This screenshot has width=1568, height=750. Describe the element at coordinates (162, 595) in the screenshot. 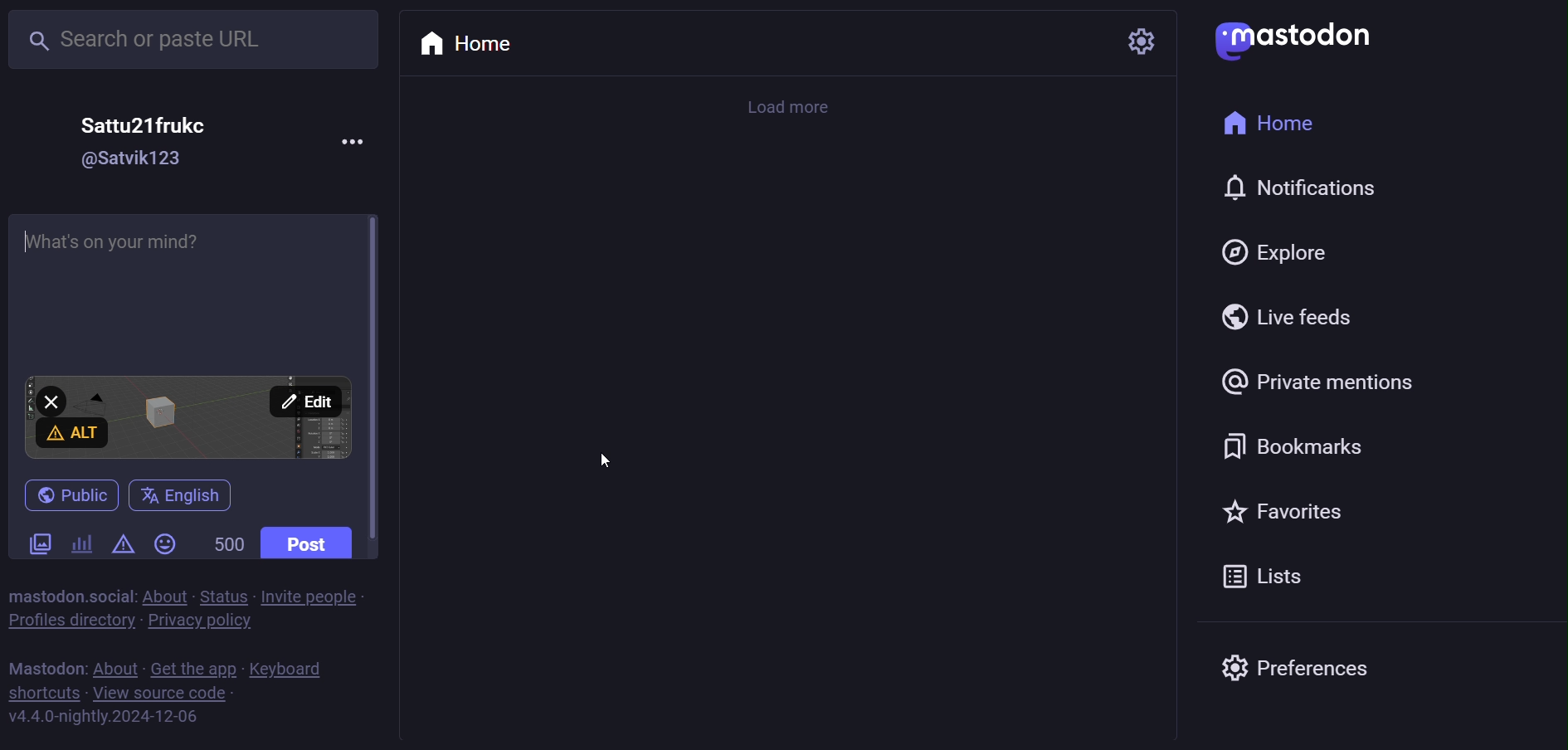

I see `about` at that location.